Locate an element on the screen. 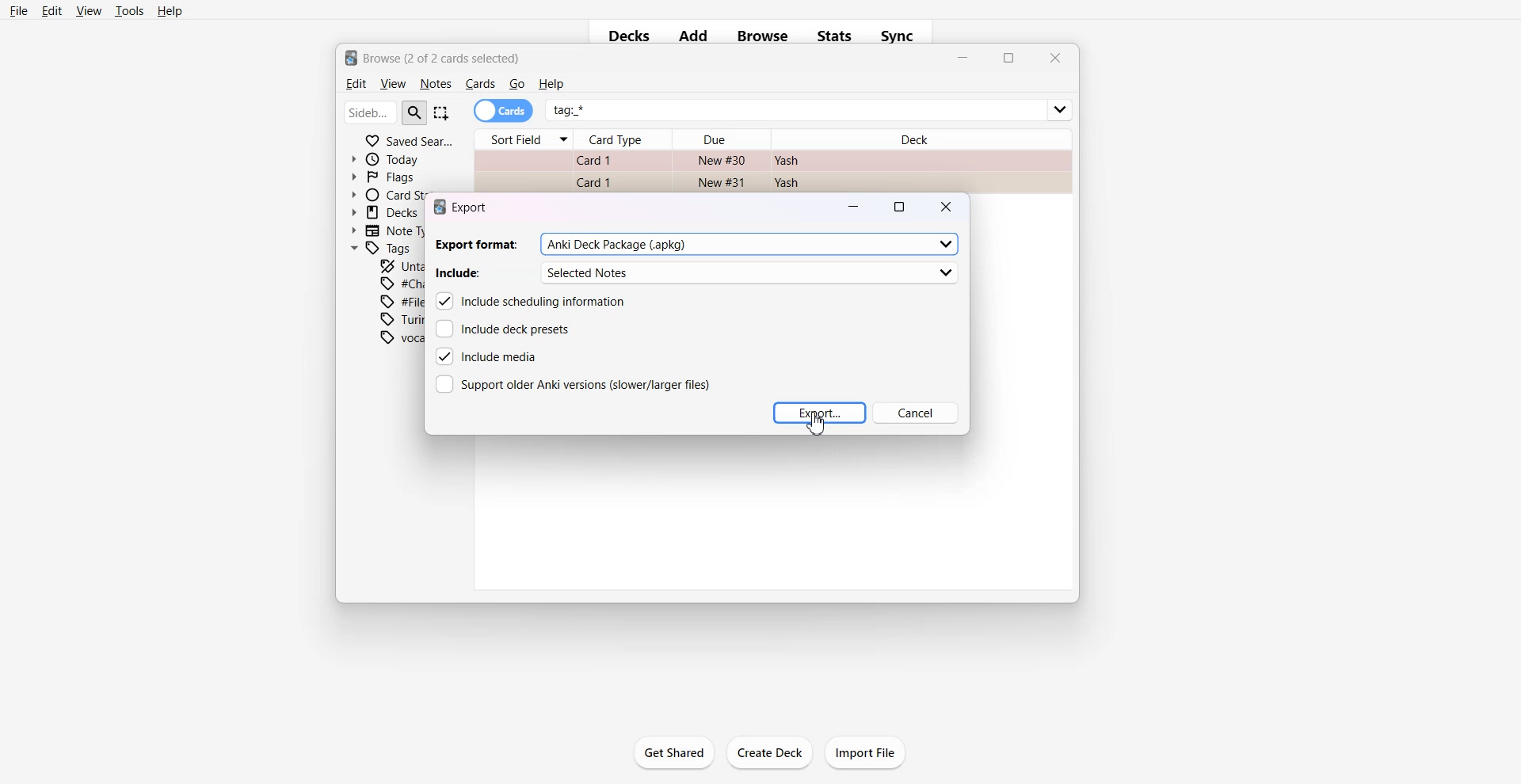 The width and height of the screenshot is (1521, 784). Sync is located at coordinates (902, 36).